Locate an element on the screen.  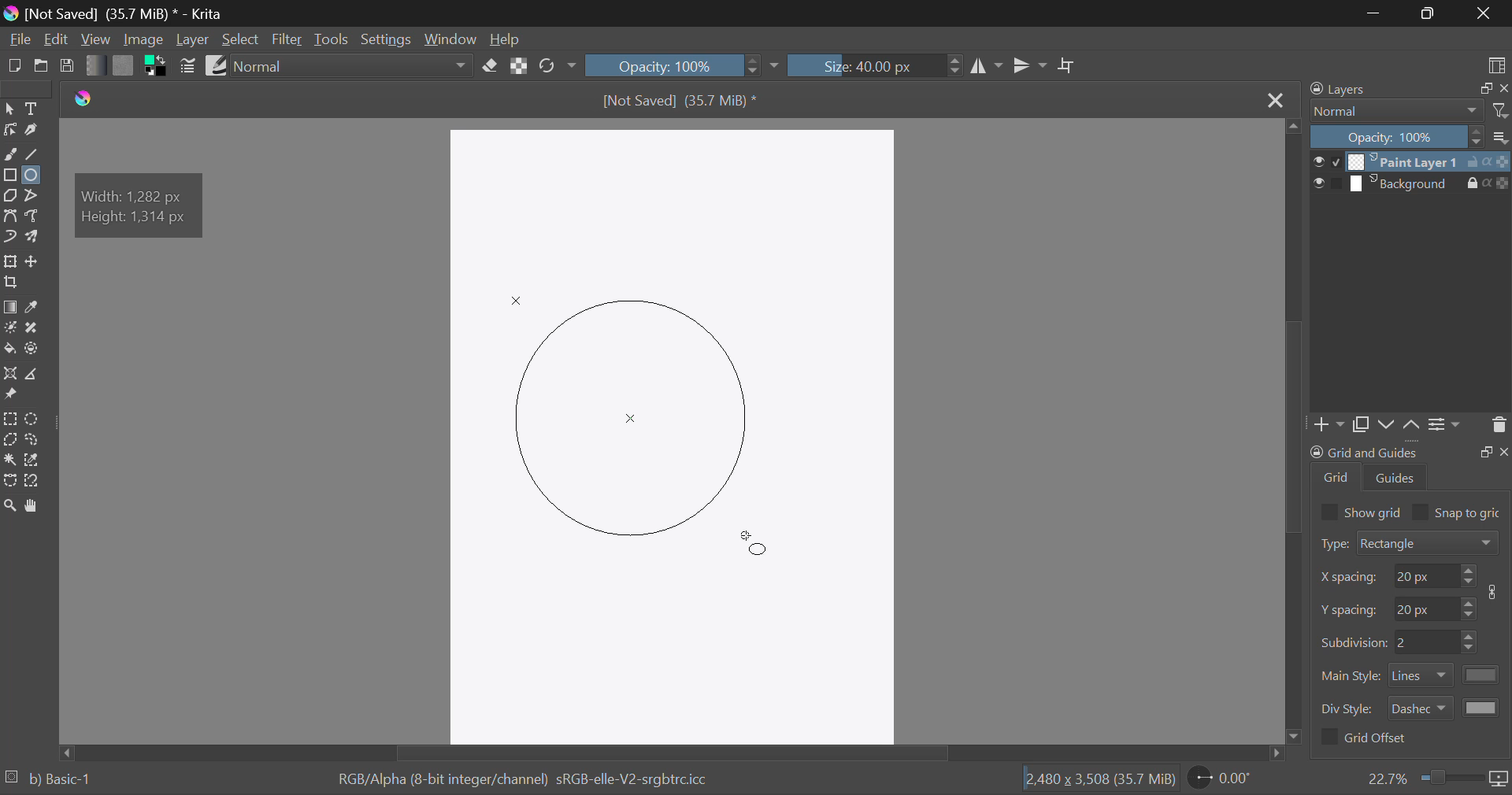
Grid Offset is located at coordinates (1367, 739).